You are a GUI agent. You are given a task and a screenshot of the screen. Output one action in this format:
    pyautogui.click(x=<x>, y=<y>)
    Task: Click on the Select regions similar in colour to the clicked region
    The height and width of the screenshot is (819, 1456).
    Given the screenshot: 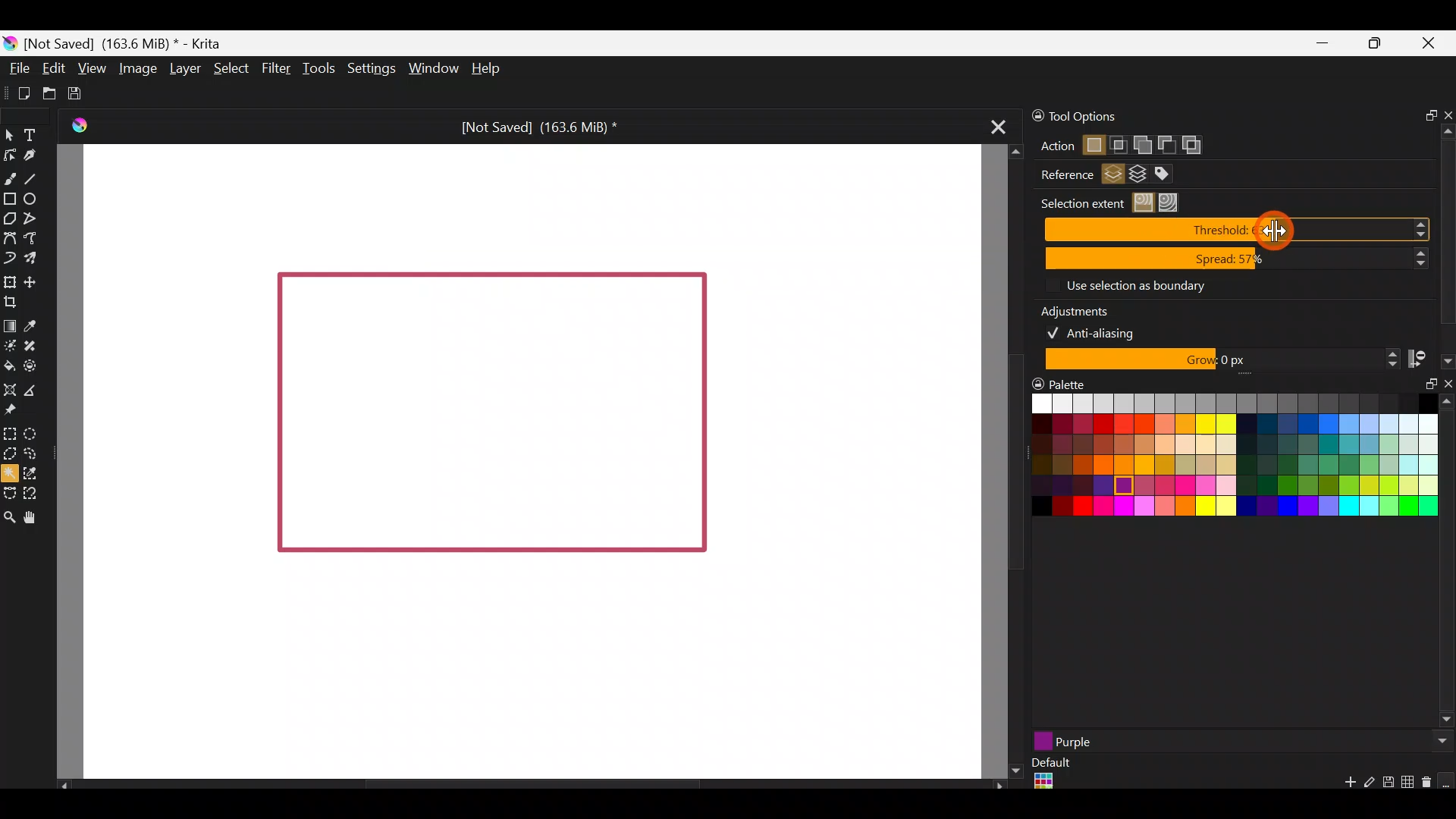 What is the action you would take?
    pyautogui.click(x=1146, y=203)
    